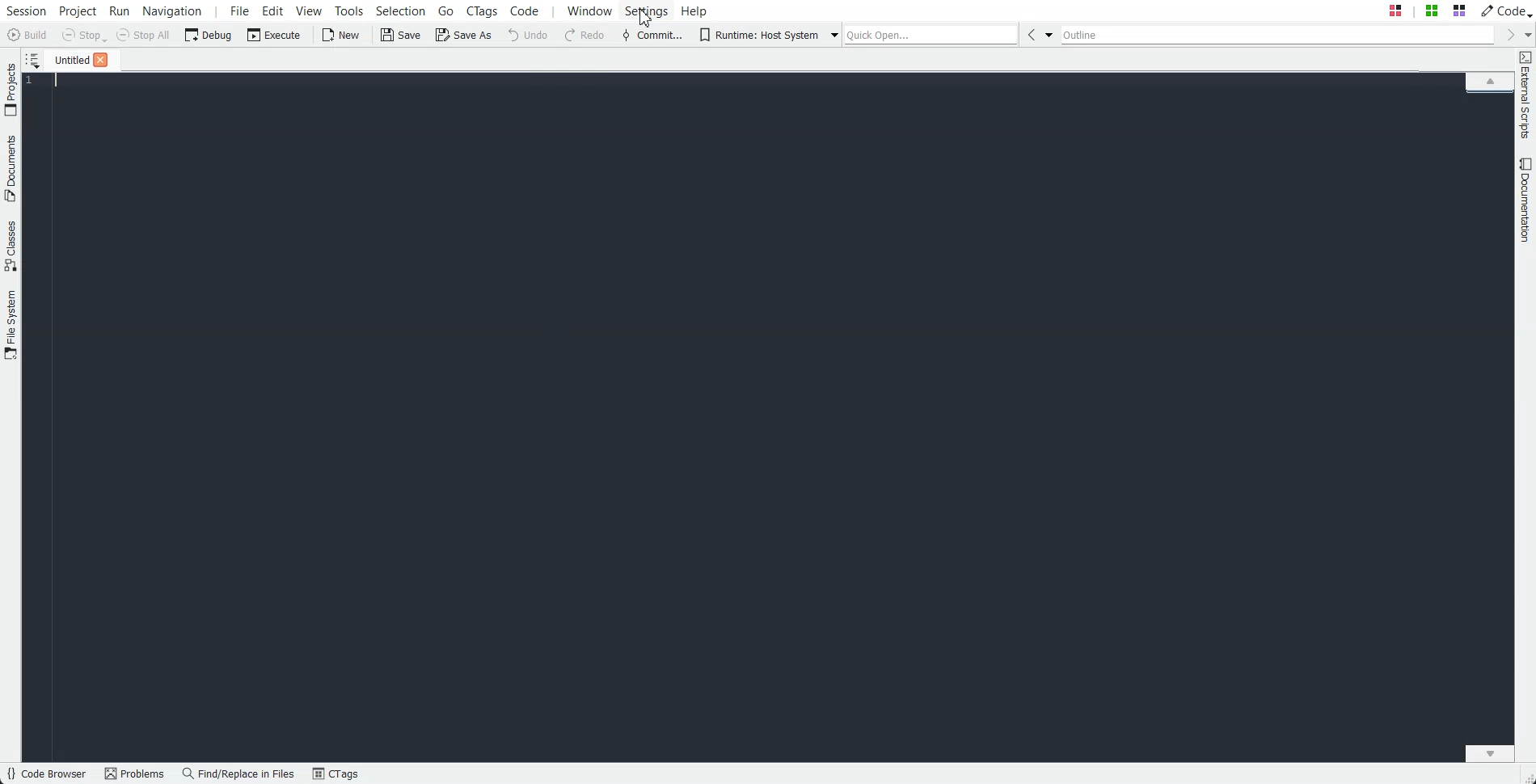  What do you see at coordinates (1049, 34) in the screenshot?
I see `Drop Down box` at bounding box center [1049, 34].